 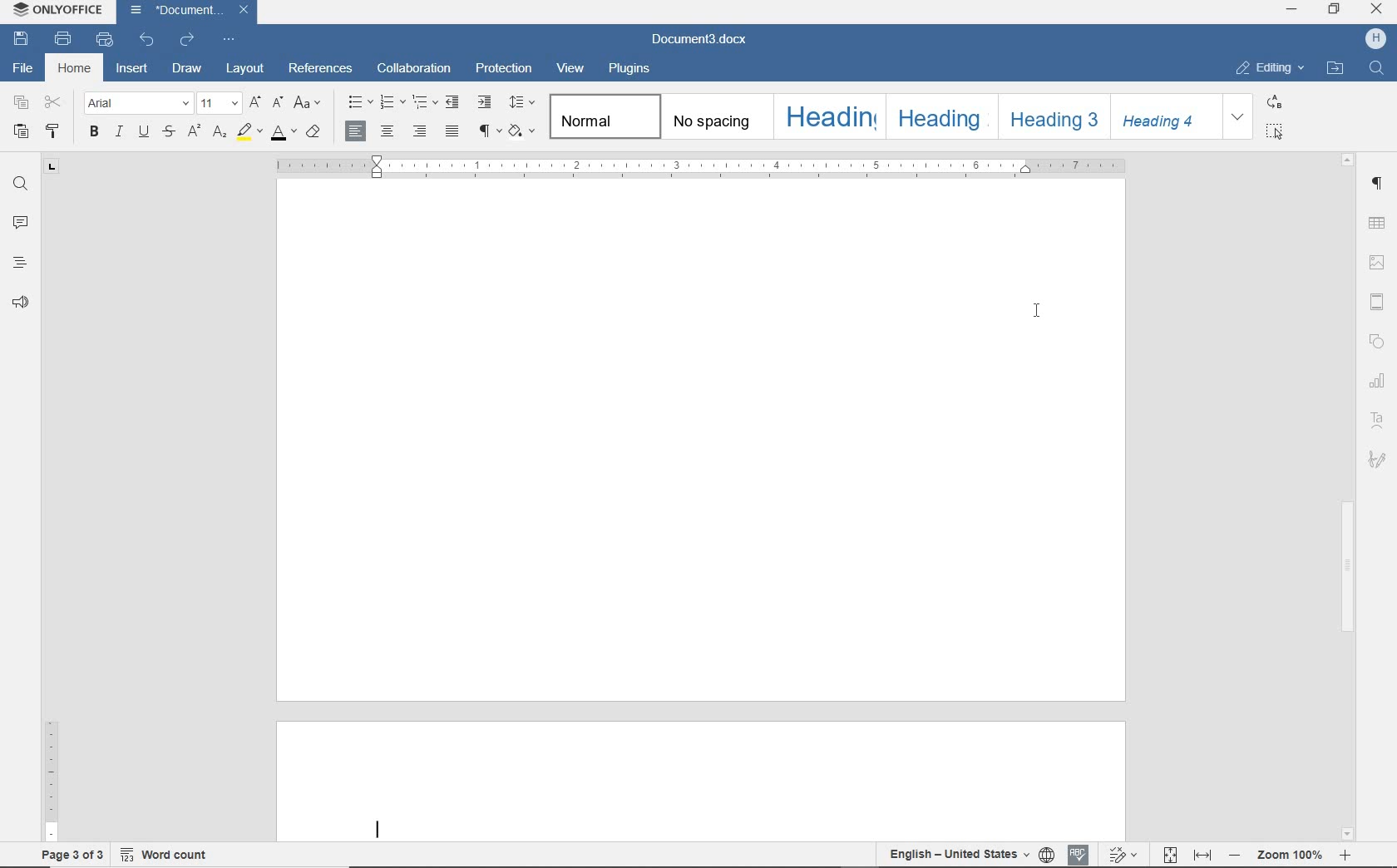 What do you see at coordinates (520, 129) in the screenshot?
I see `SHADING` at bounding box center [520, 129].